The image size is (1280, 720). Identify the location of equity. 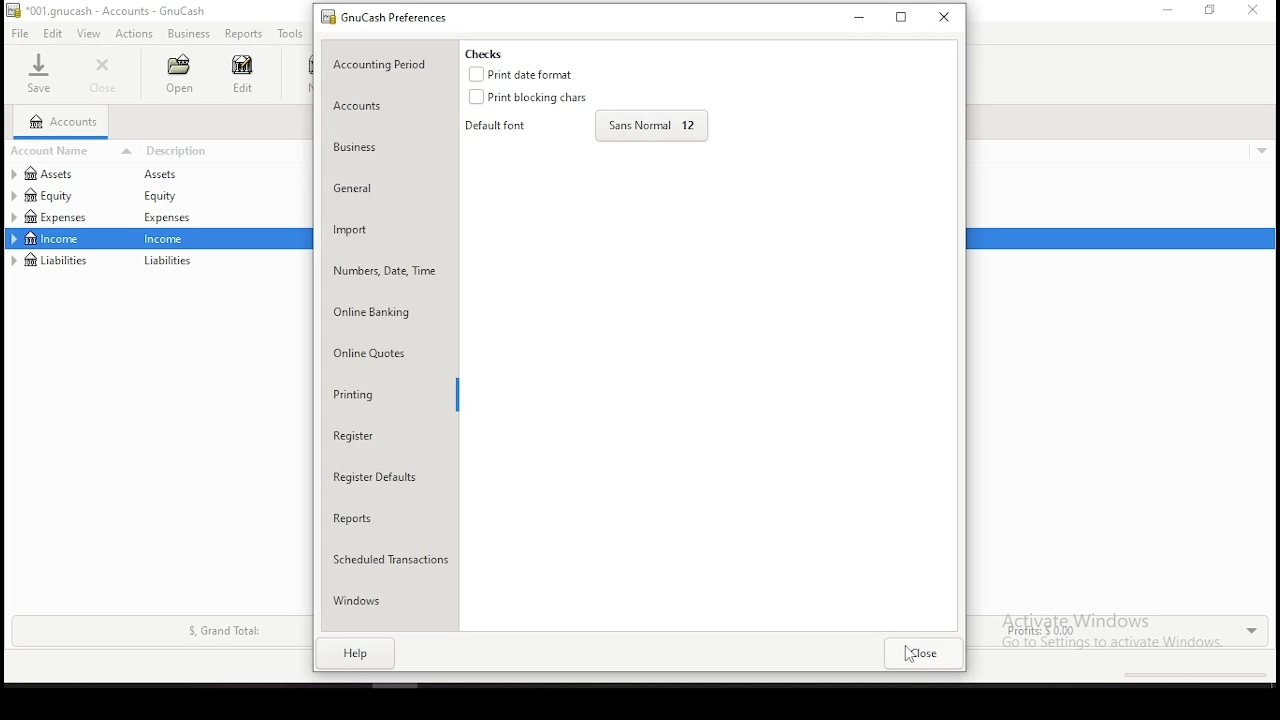
(49, 195).